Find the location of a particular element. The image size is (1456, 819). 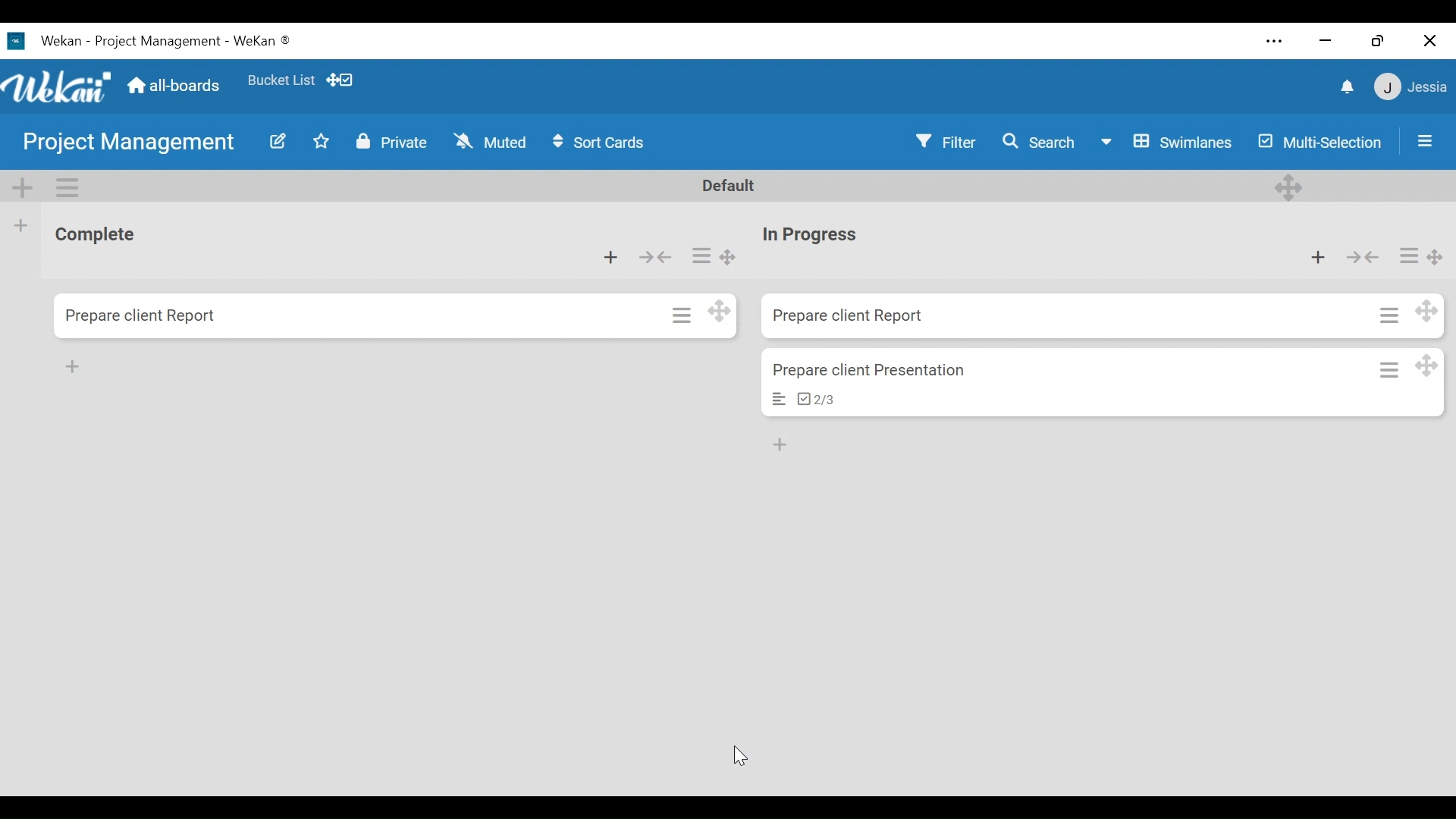

Filter is located at coordinates (944, 143).